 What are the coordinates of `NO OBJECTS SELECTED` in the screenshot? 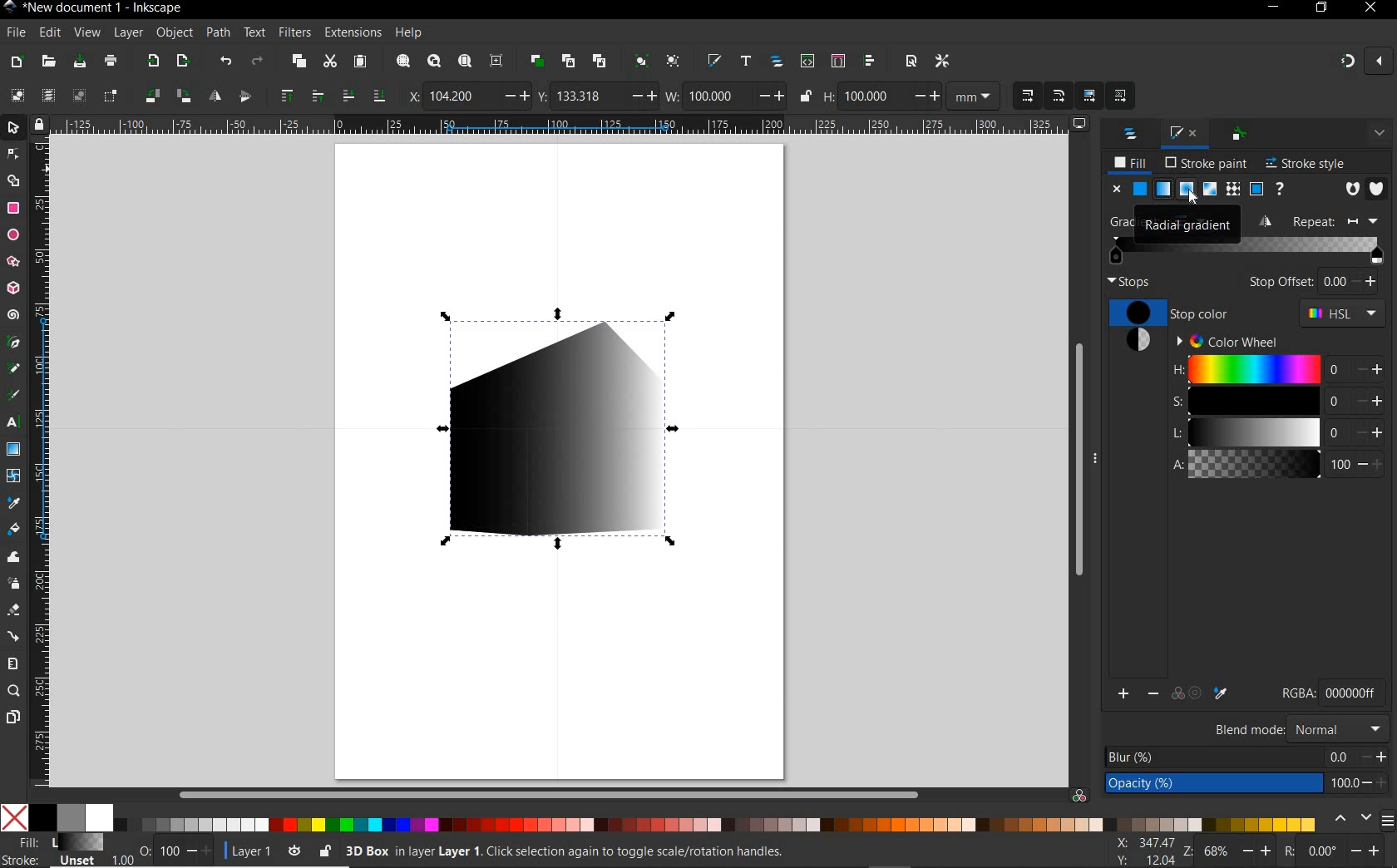 It's located at (668, 851).